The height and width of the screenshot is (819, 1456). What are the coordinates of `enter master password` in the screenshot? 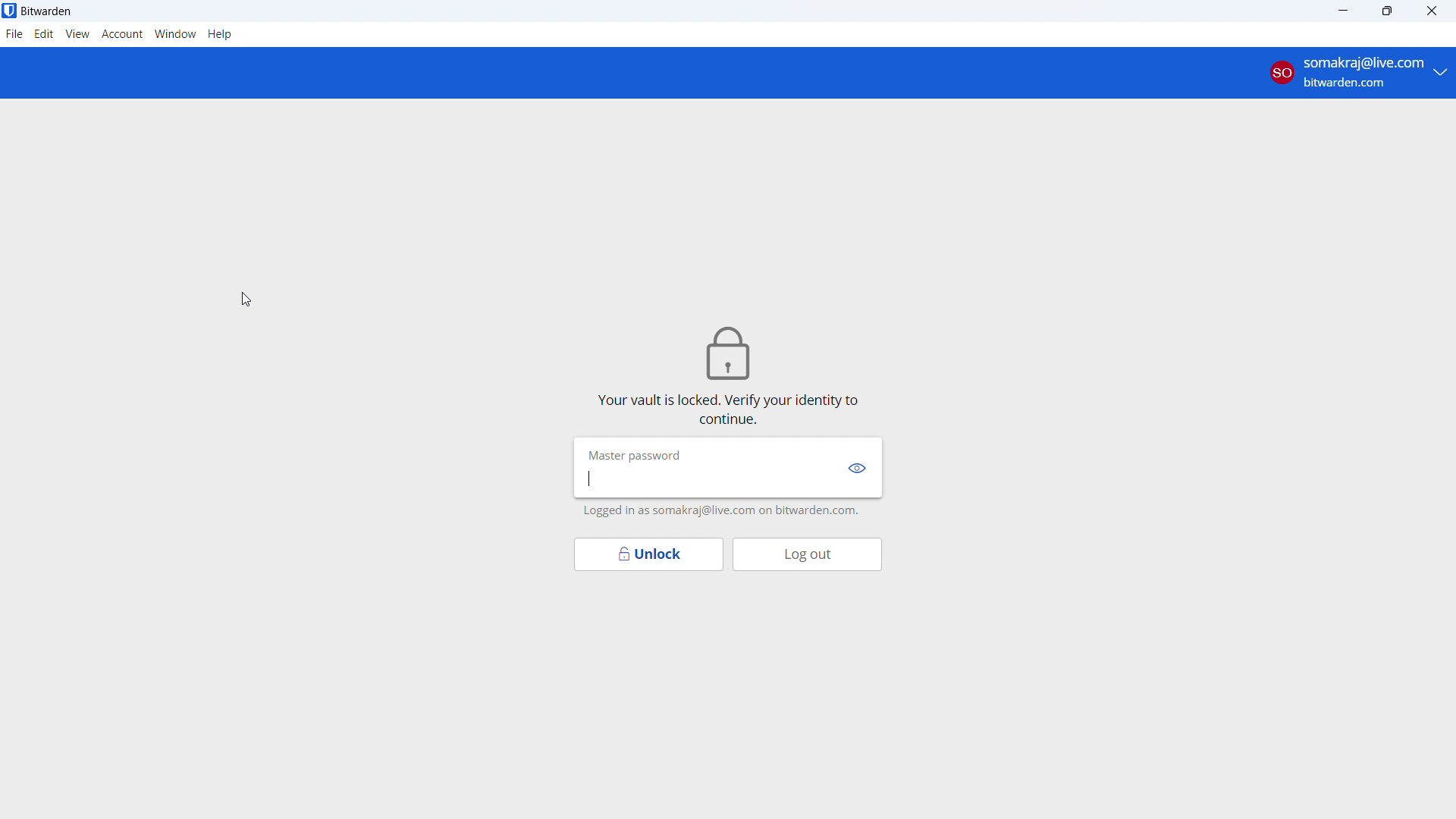 It's located at (708, 479).